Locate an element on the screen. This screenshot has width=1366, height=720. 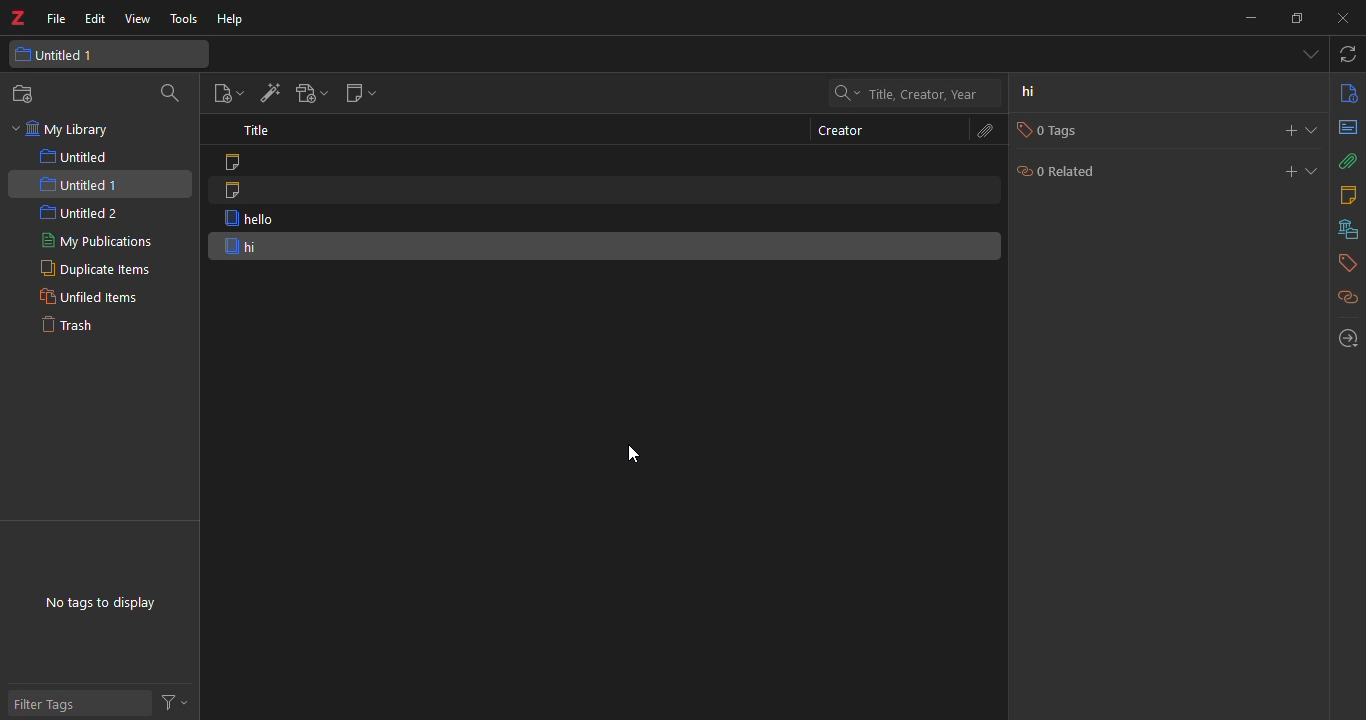
tags is located at coordinates (1344, 264).